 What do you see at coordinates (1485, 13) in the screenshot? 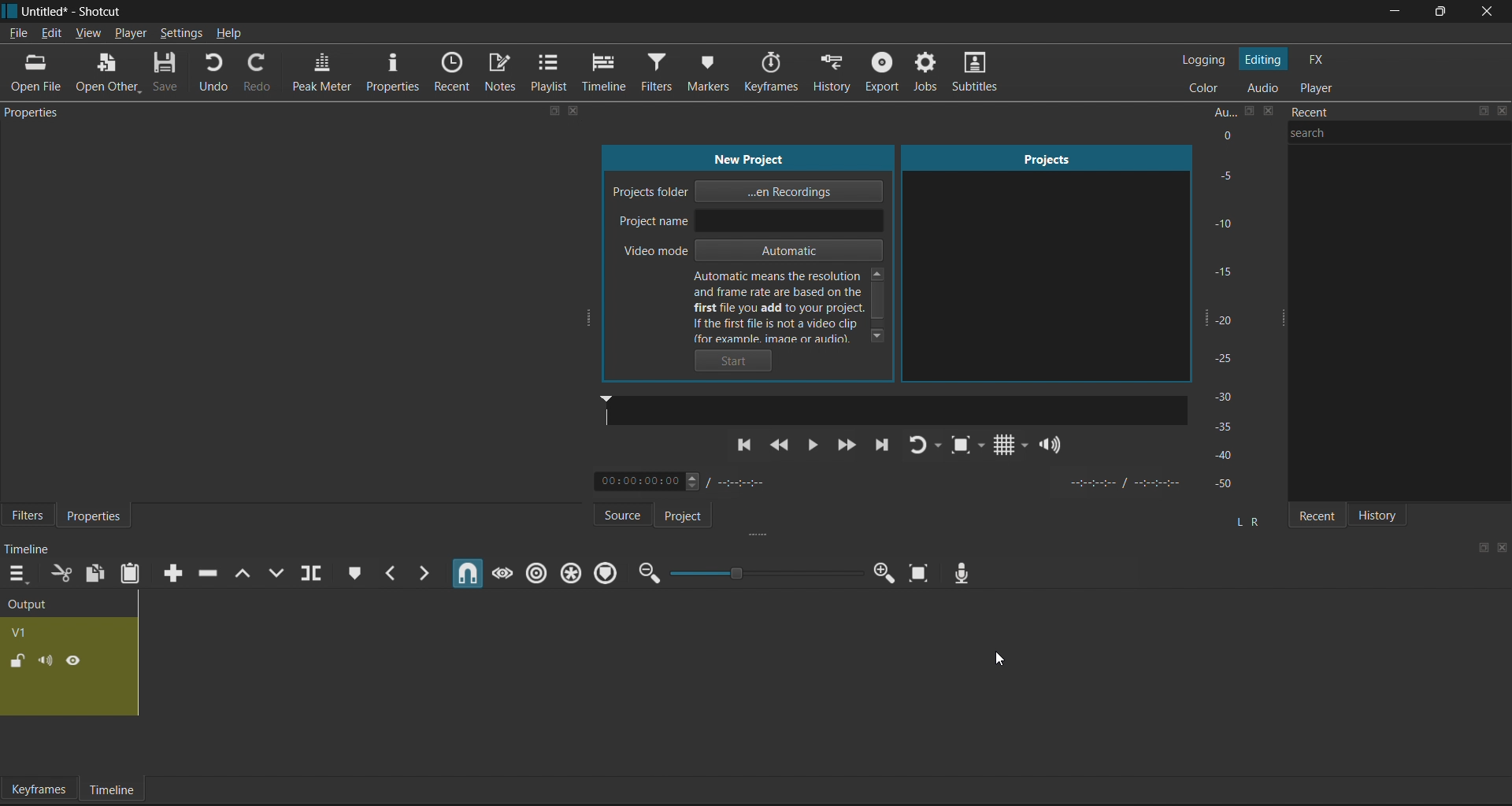
I see `close` at bounding box center [1485, 13].